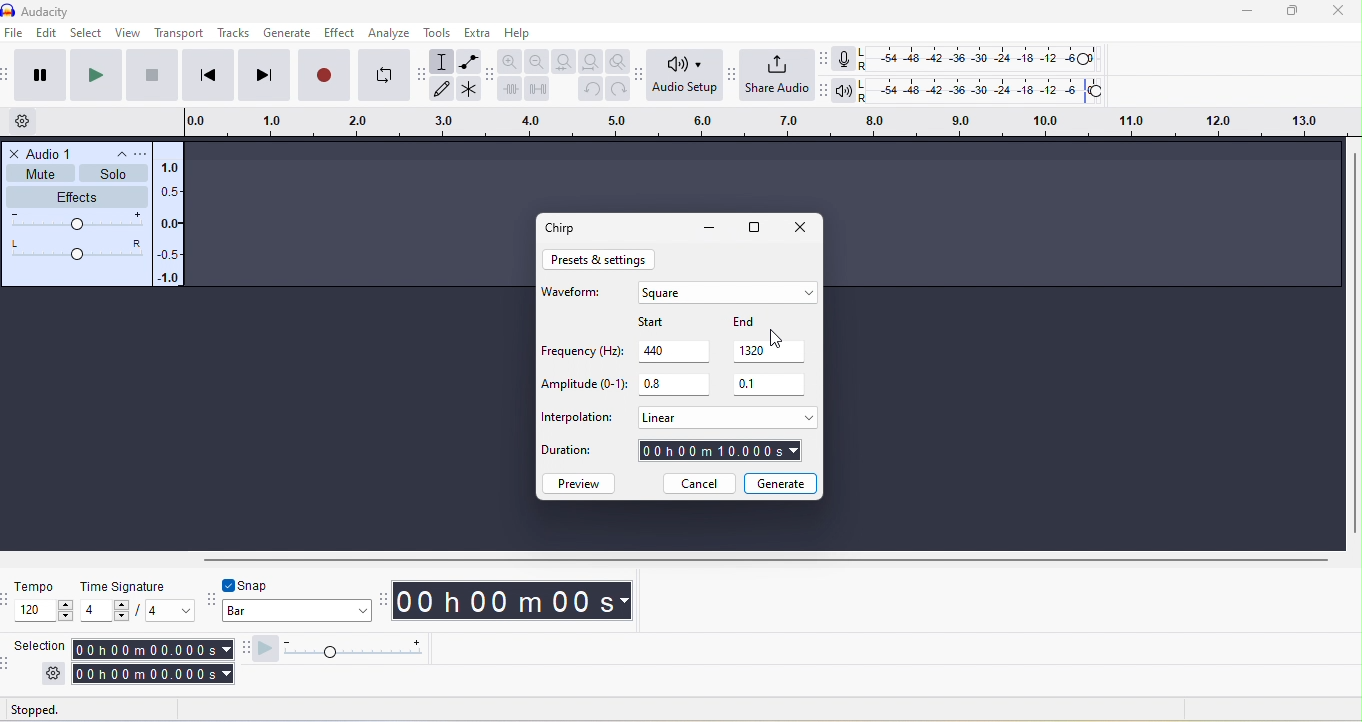  Describe the element at coordinates (985, 88) in the screenshot. I see `playback level` at that location.